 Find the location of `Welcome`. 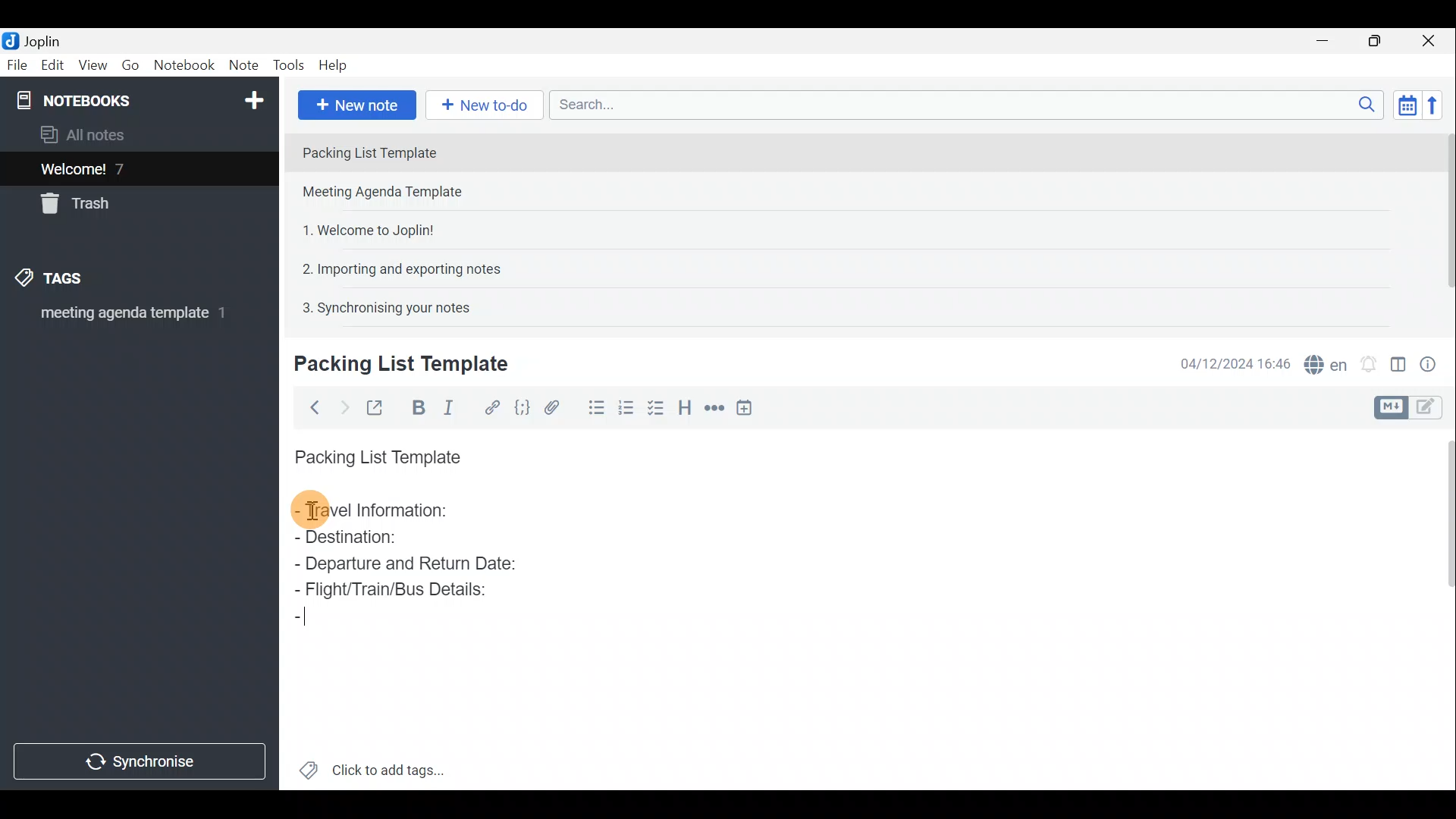

Welcome is located at coordinates (116, 168).